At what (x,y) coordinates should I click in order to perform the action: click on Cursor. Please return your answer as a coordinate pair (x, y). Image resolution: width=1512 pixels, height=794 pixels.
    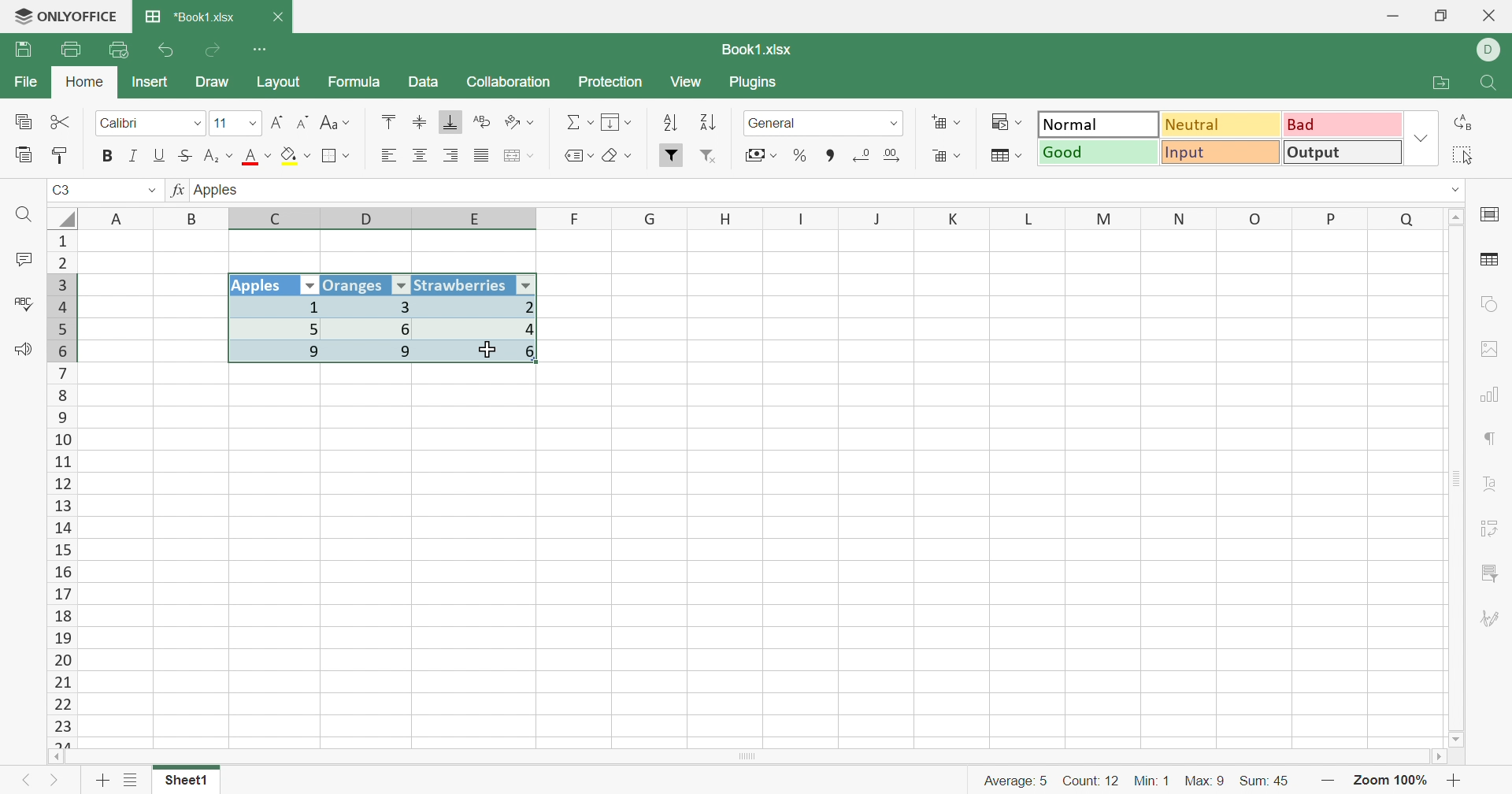
    Looking at the image, I should click on (488, 350).